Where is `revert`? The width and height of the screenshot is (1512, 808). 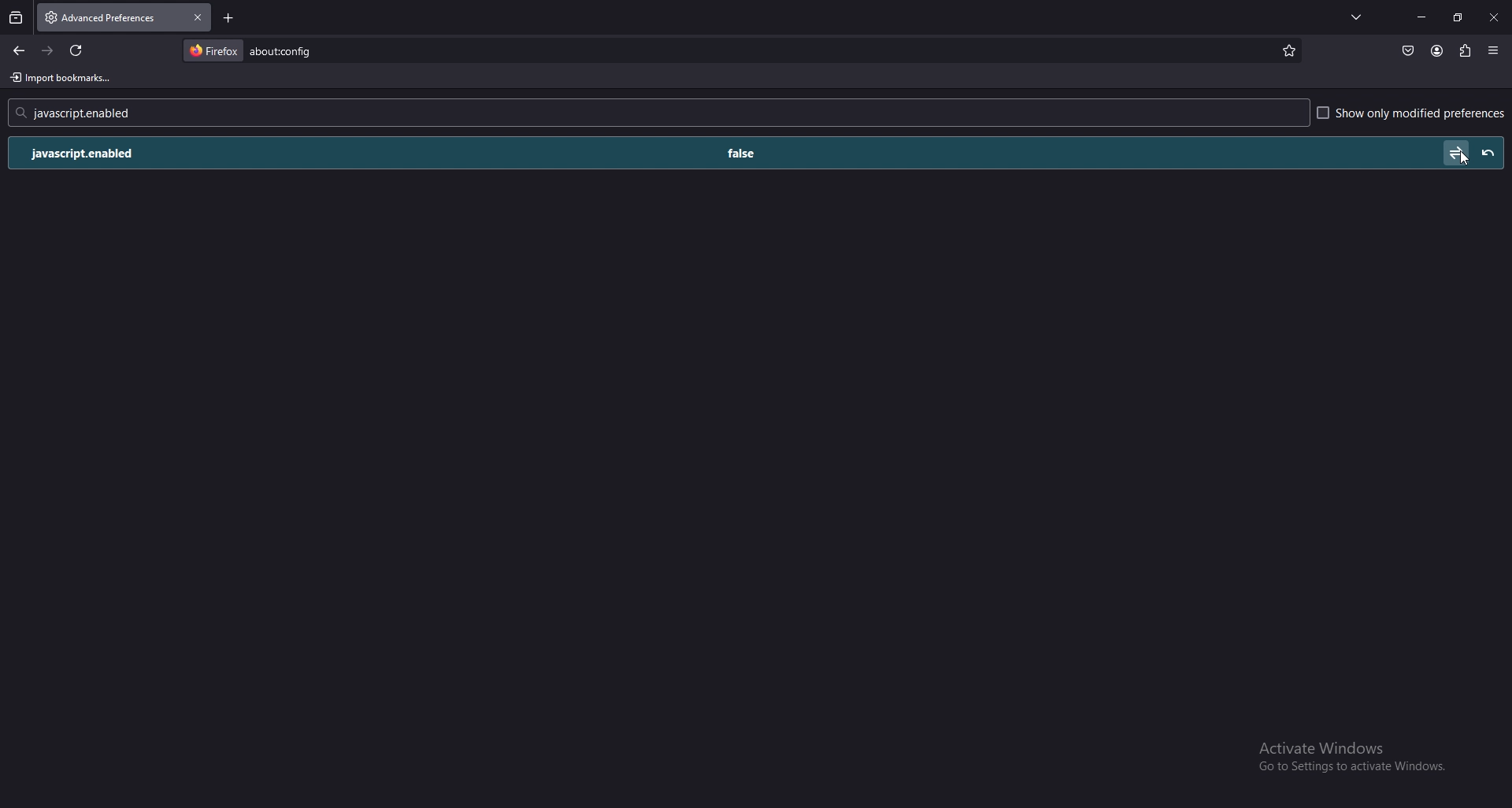 revert is located at coordinates (1488, 152).